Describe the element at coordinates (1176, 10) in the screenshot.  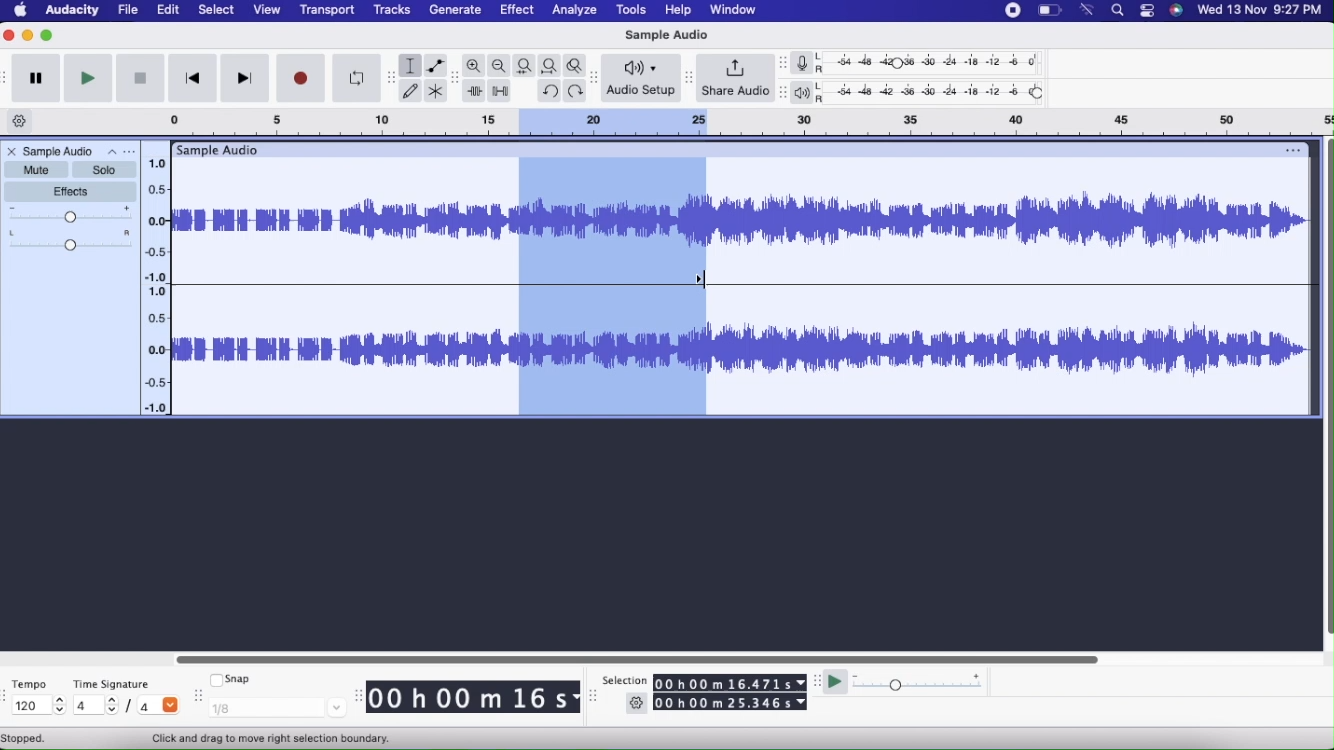
I see `app icon` at that location.